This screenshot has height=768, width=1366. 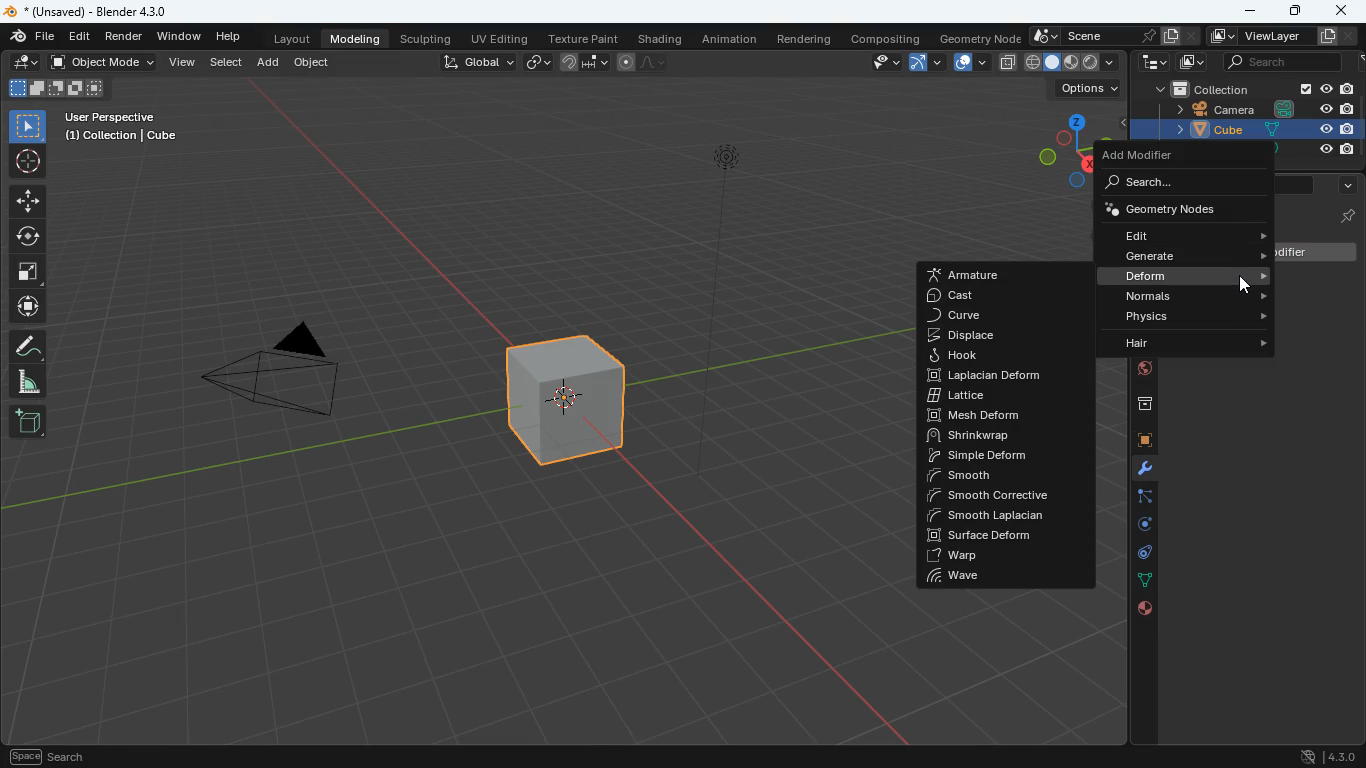 I want to click on sculpting, so click(x=425, y=37).